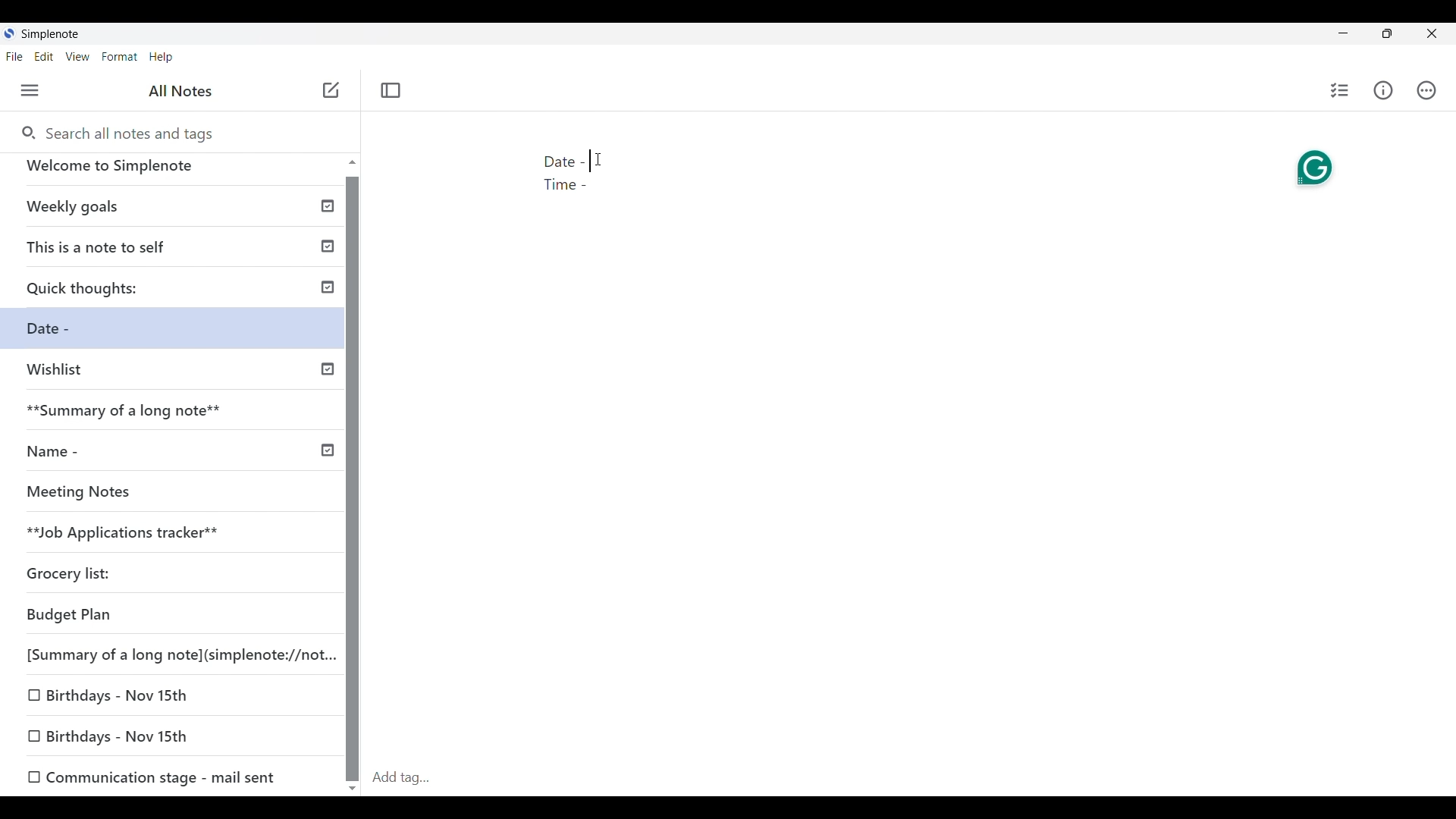 The height and width of the screenshot is (819, 1456). What do you see at coordinates (353, 789) in the screenshot?
I see `Quick slide to bottom` at bounding box center [353, 789].